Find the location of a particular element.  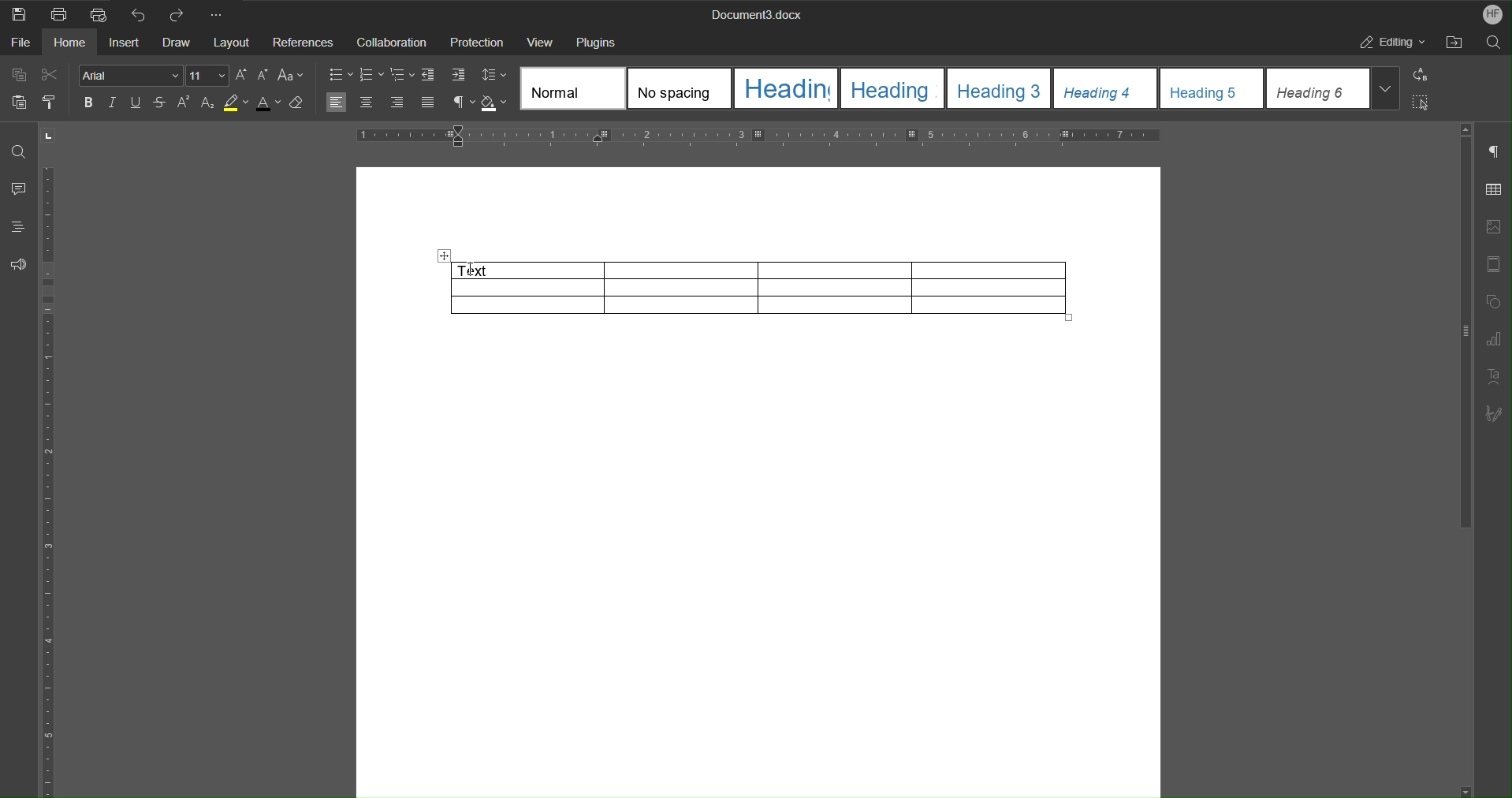

More styles is located at coordinates (1387, 88).